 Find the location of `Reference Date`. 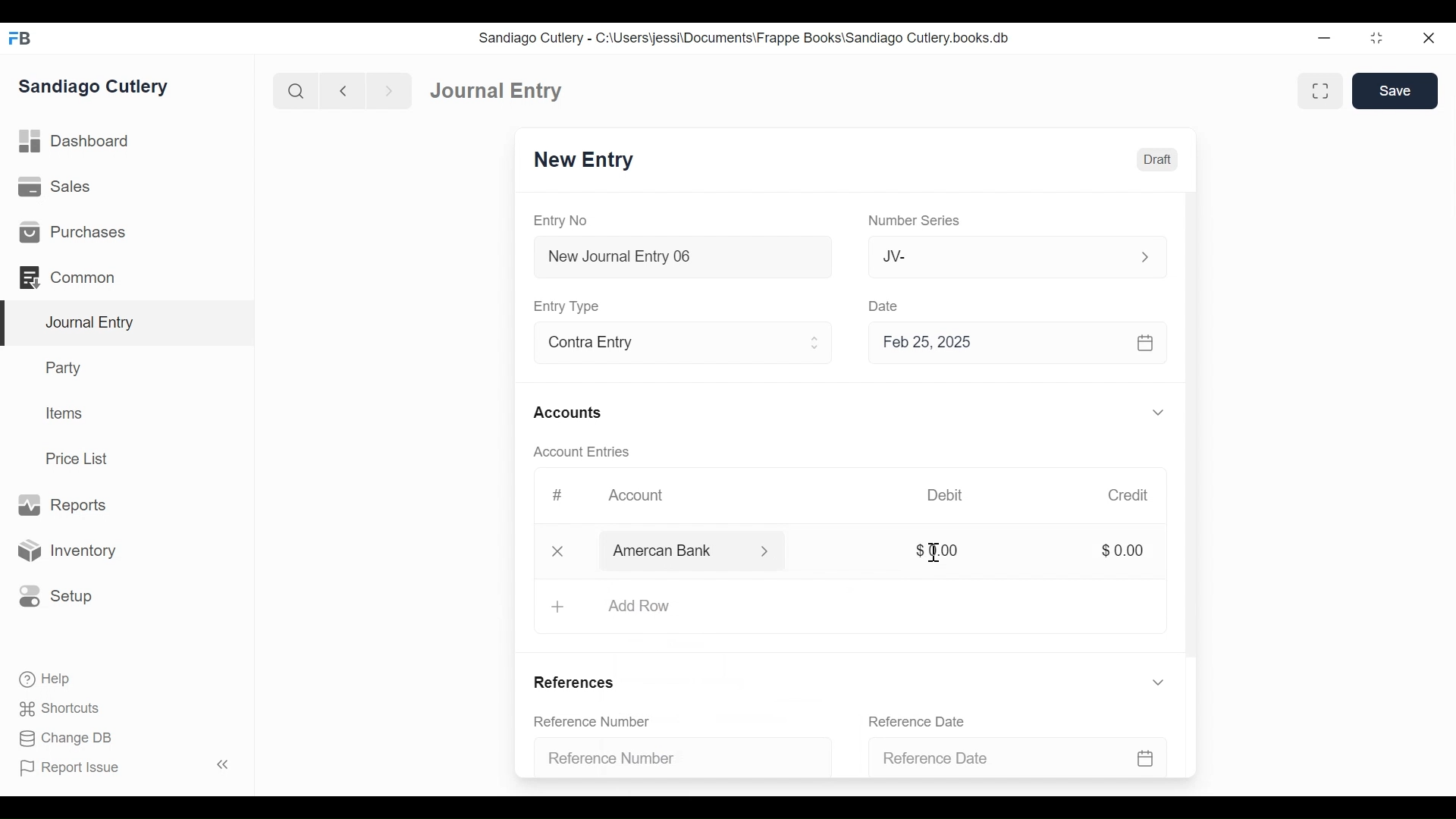

Reference Date is located at coordinates (1021, 756).